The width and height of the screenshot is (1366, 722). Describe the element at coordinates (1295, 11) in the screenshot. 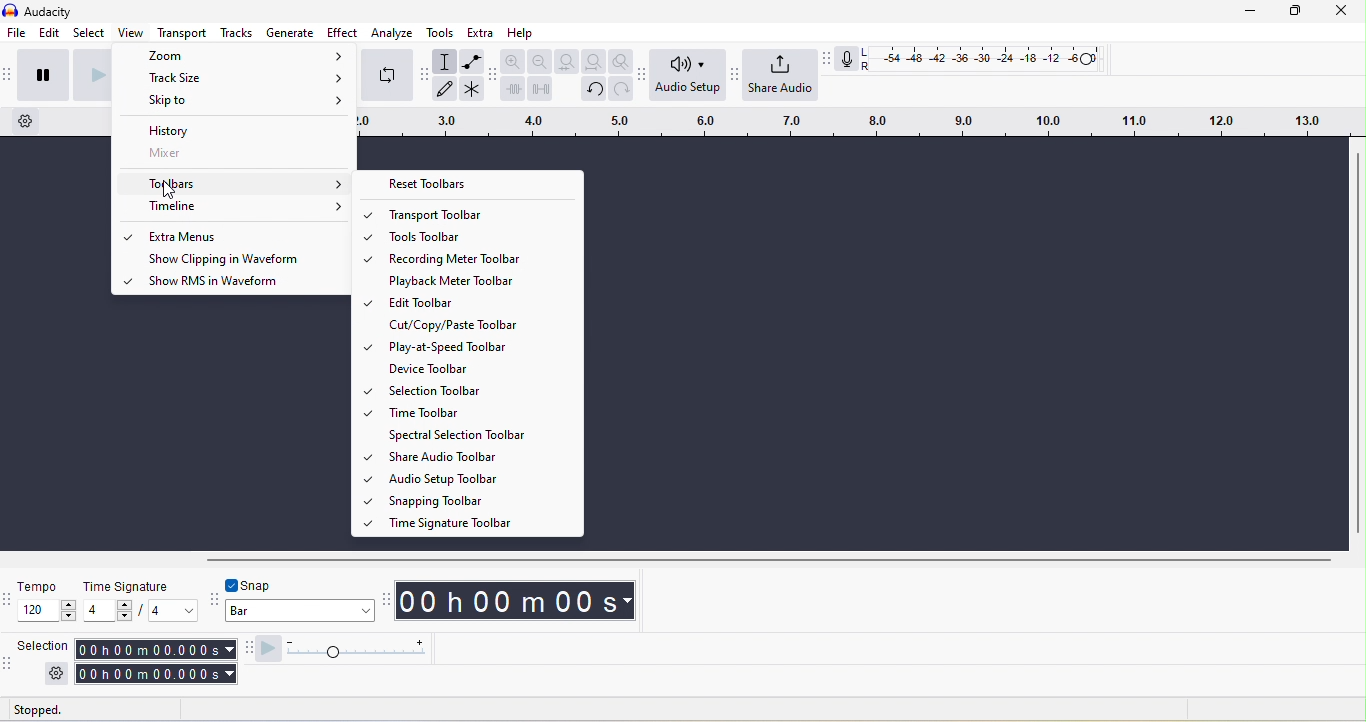

I see `maximize` at that location.